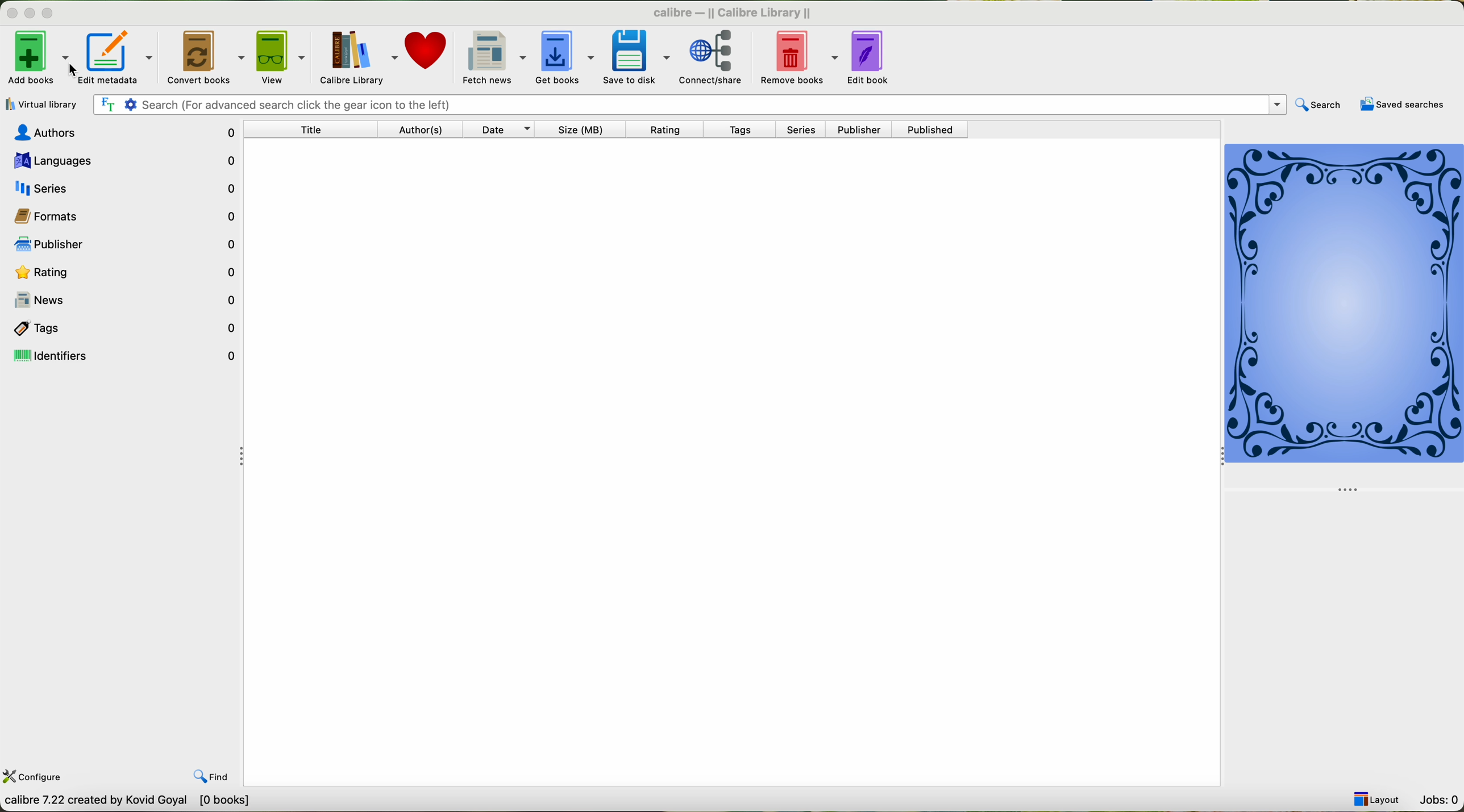 The image size is (1464, 812). Describe the element at coordinates (216, 777) in the screenshot. I see `find` at that location.